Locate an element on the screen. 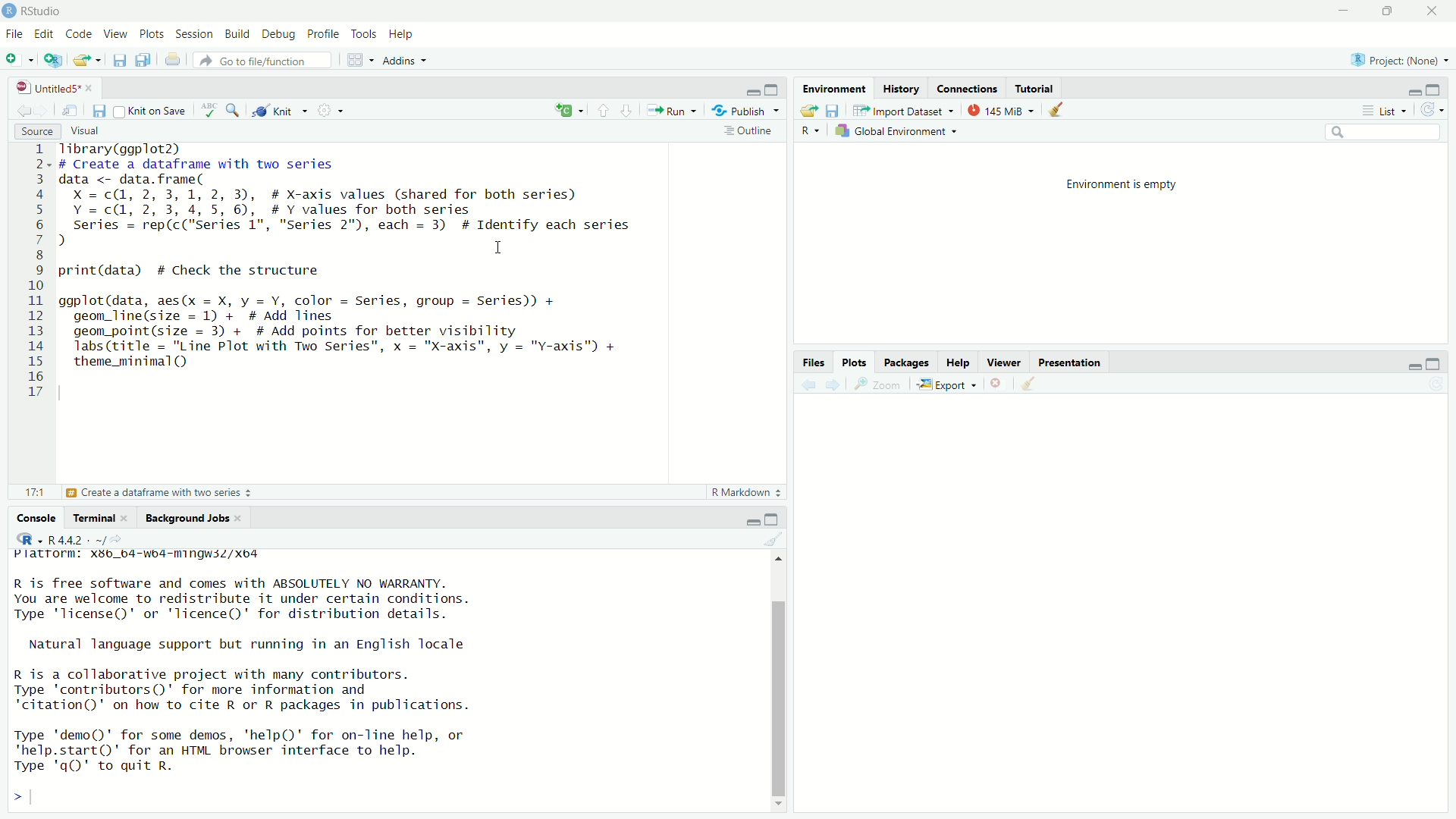  Prsentation is located at coordinates (1075, 362).